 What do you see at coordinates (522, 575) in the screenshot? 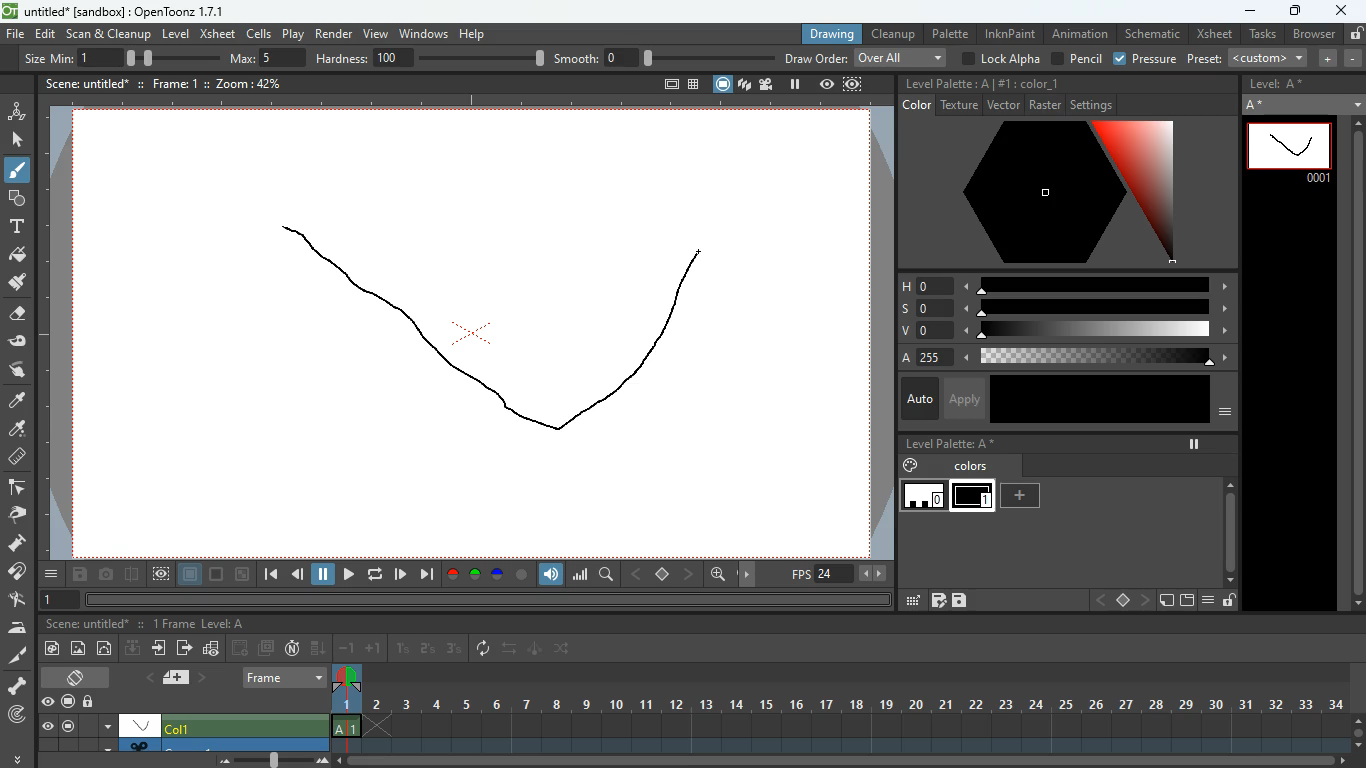
I see `color` at bounding box center [522, 575].